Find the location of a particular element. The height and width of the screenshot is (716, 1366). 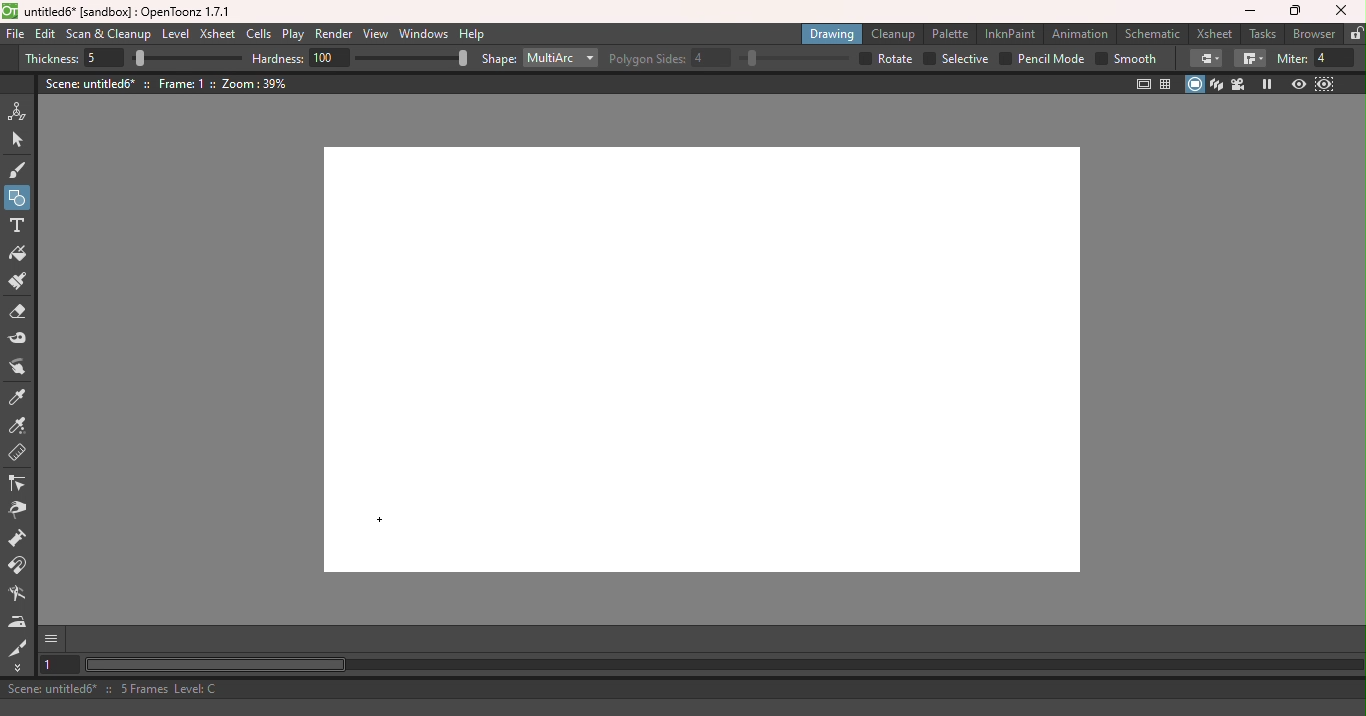

Camera view is located at coordinates (1238, 85).